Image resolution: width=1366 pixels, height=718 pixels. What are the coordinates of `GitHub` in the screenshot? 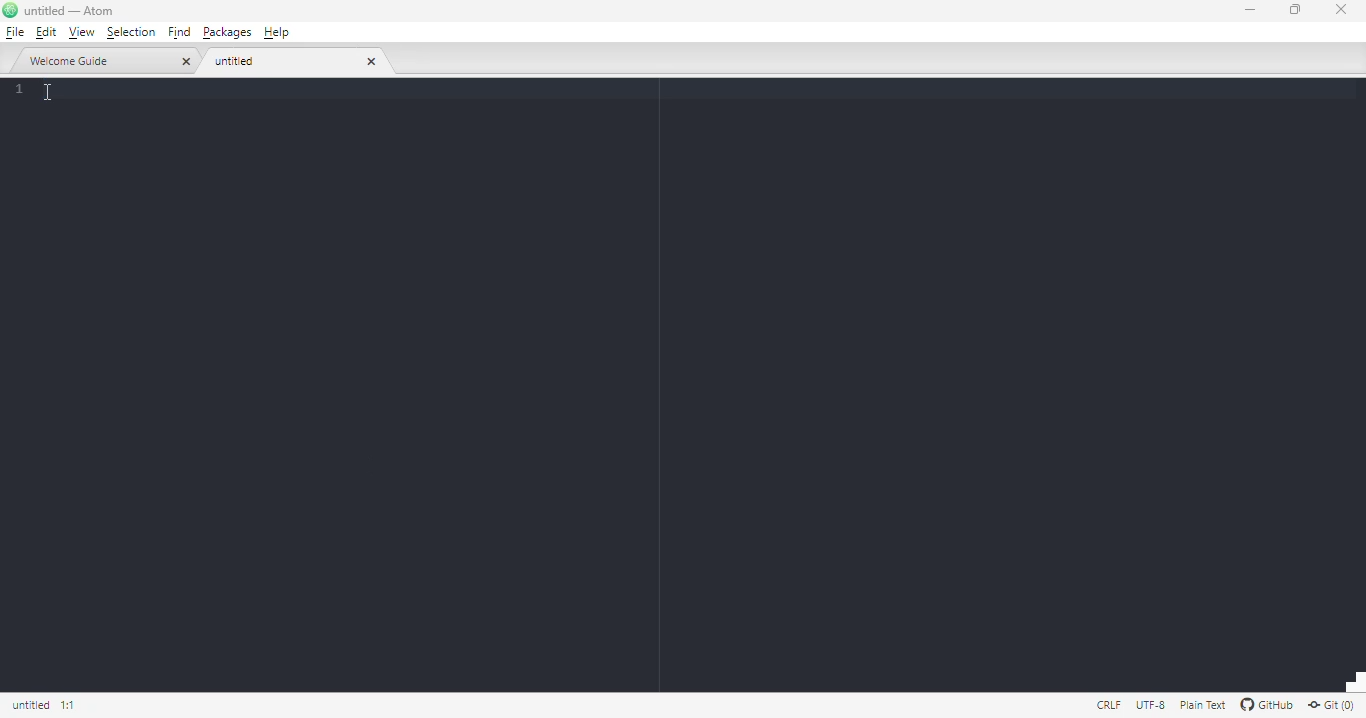 It's located at (1266, 705).